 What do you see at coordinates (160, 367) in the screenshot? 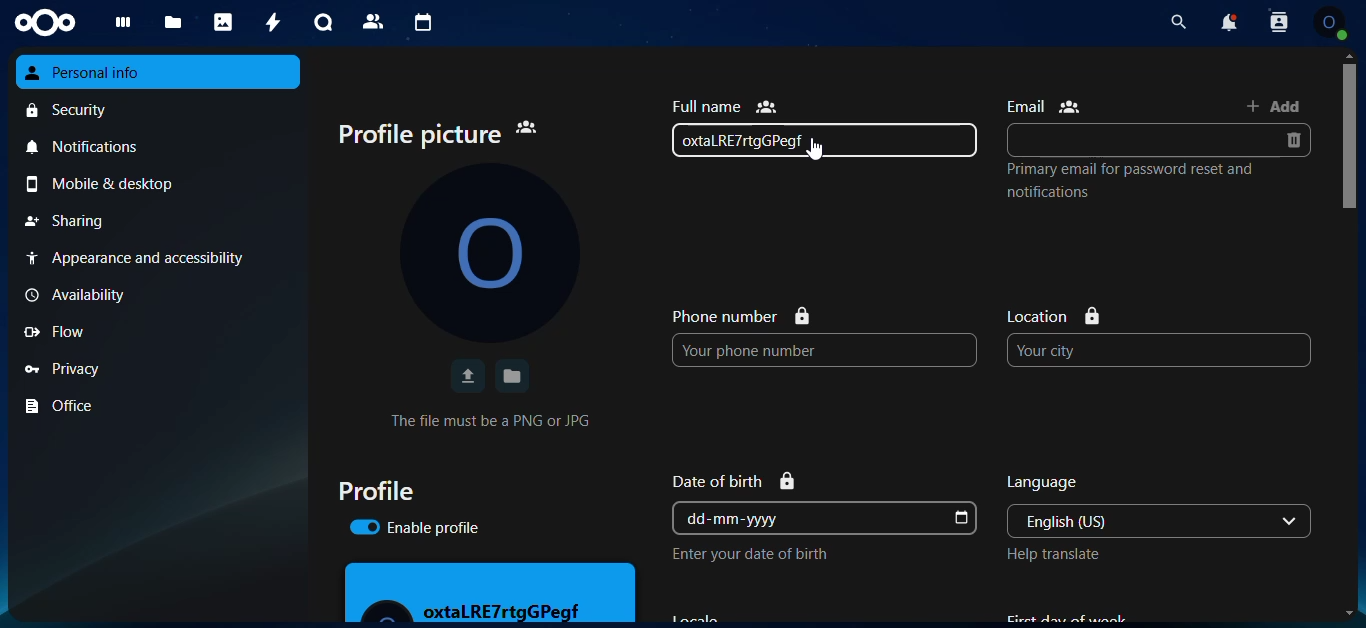
I see `privacy` at bounding box center [160, 367].